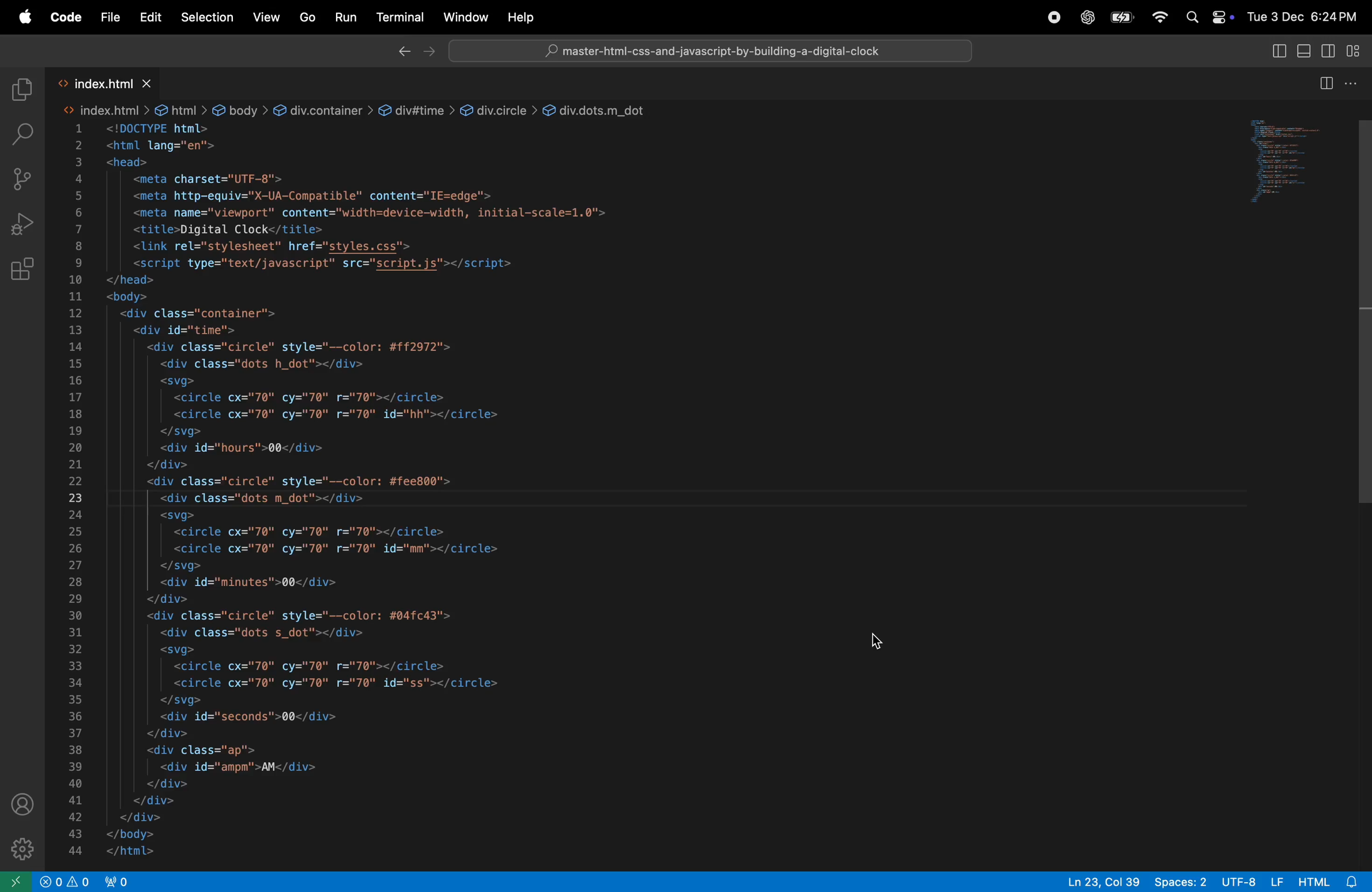  I want to click on Selection, so click(205, 18).